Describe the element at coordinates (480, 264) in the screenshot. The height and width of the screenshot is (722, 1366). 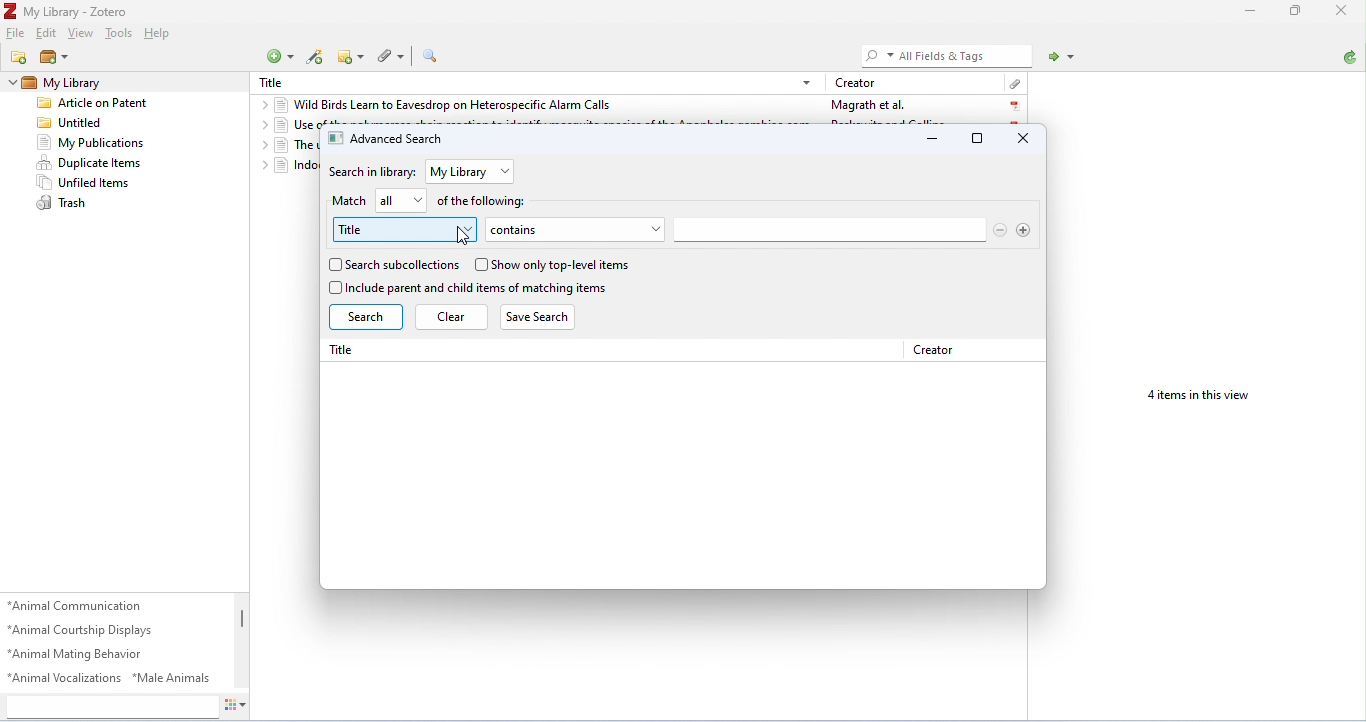
I see `checkbox` at that location.